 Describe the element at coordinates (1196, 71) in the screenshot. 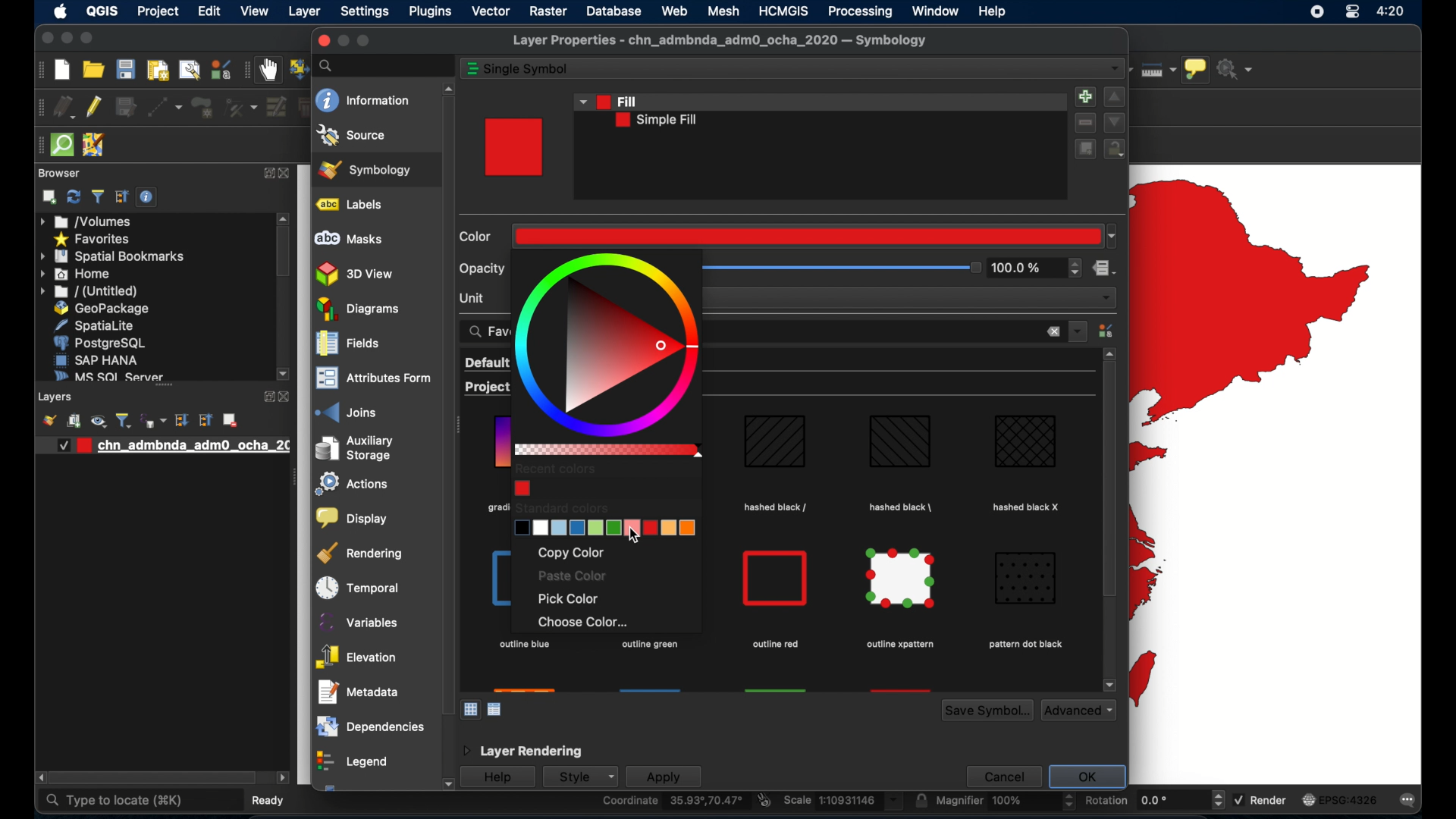

I see `show map tips` at that location.